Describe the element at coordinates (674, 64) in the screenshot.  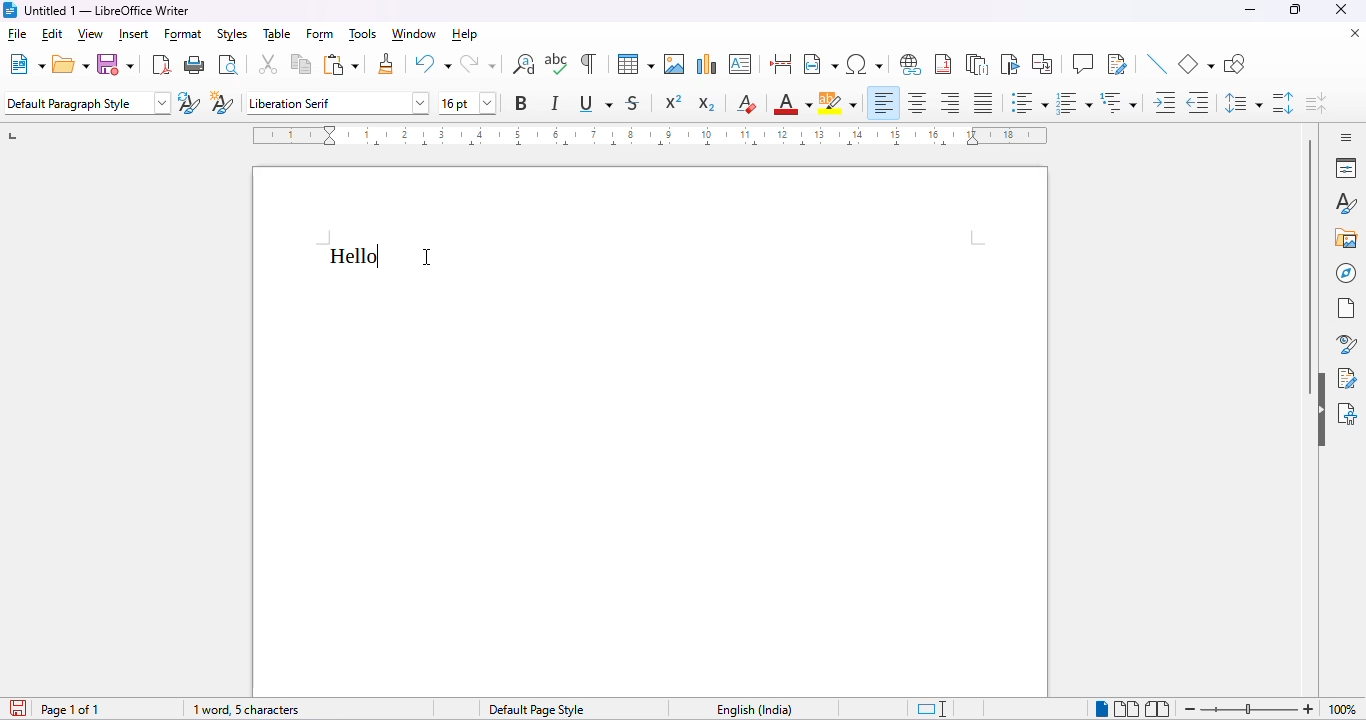
I see `insert image` at that location.